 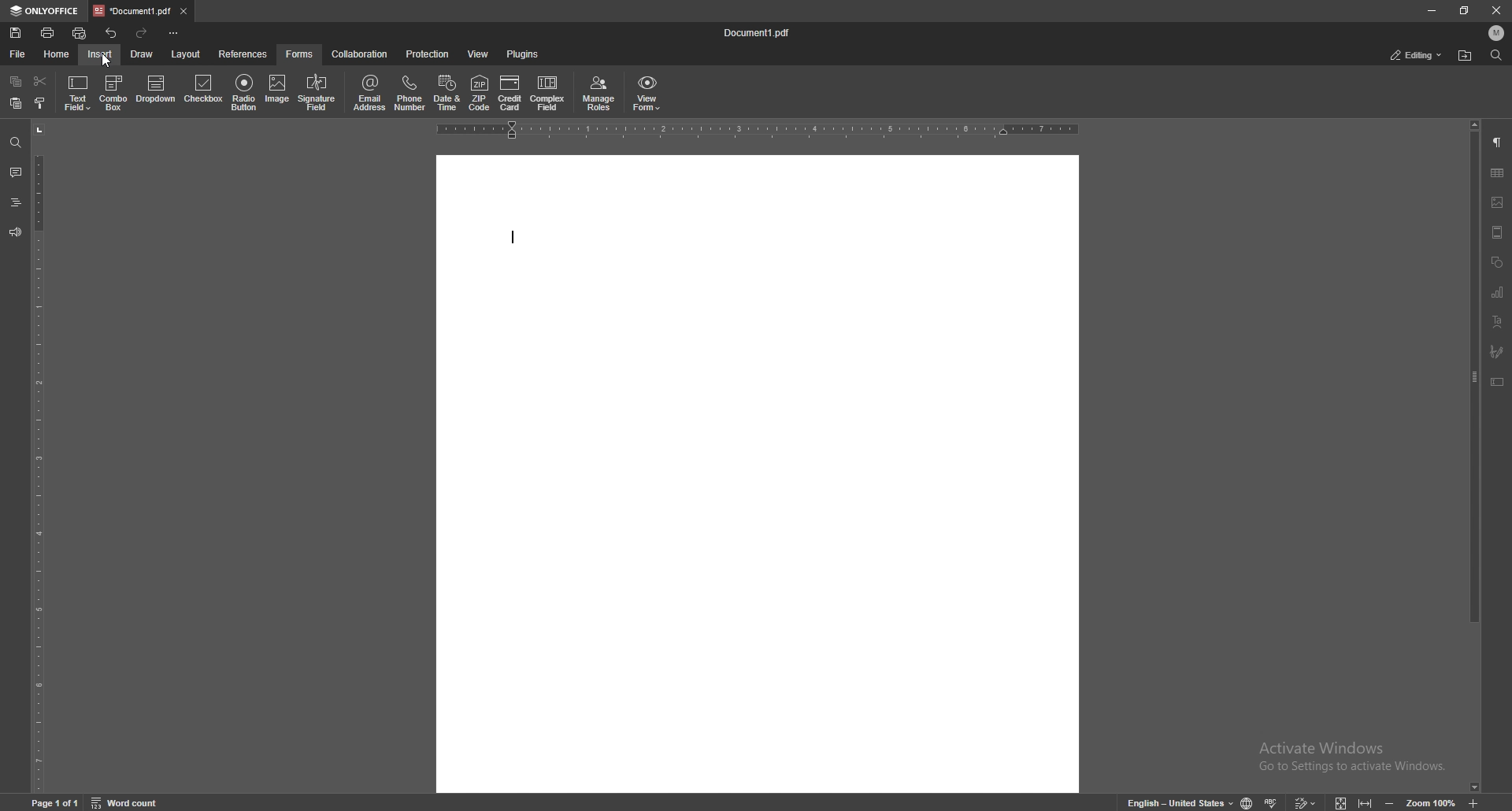 What do you see at coordinates (1498, 320) in the screenshot?
I see `text art` at bounding box center [1498, 320].